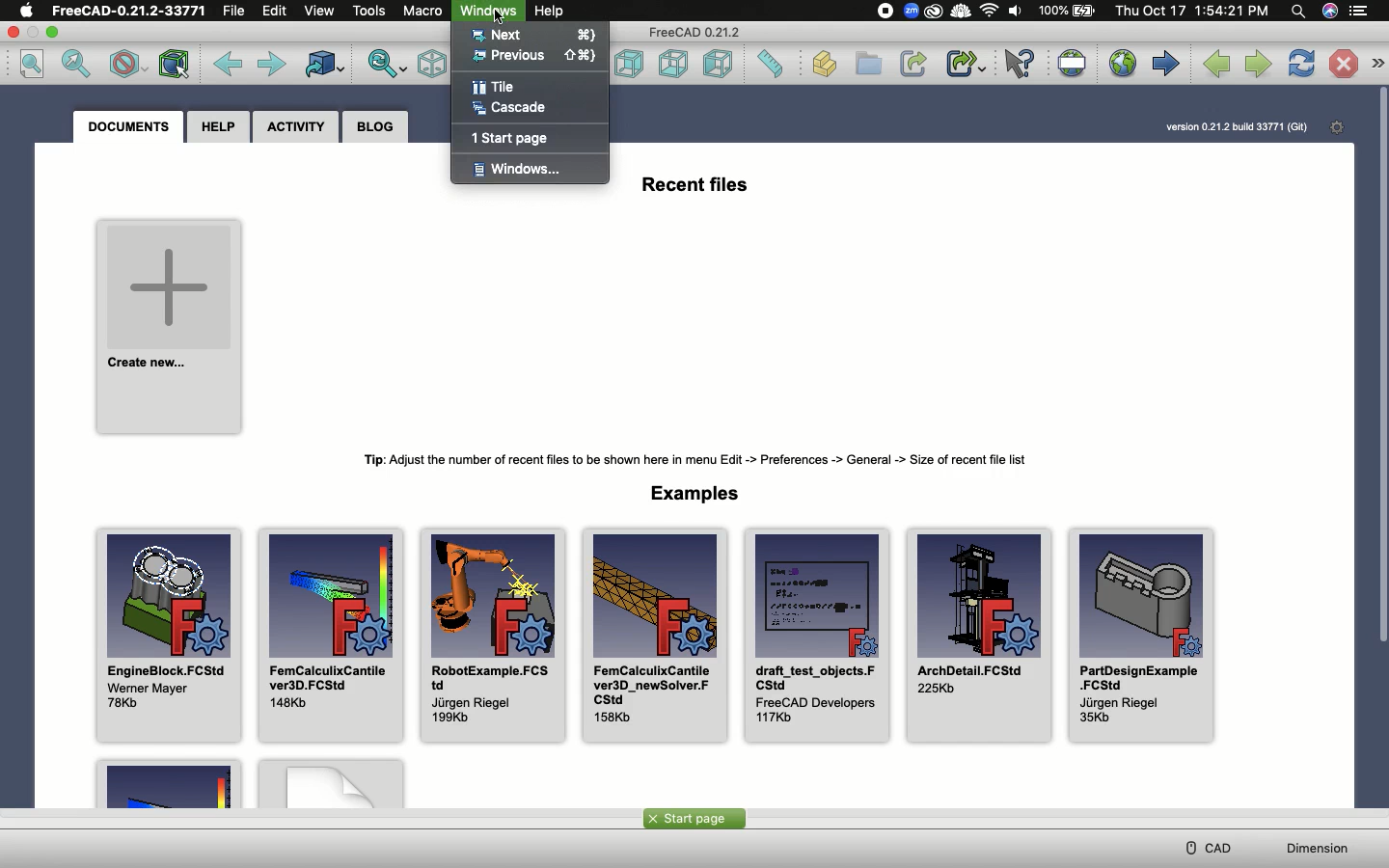  What do you see at coordinates (297, 126) in the screenshot?
I see `Activity` at bounding box center [297, 126].